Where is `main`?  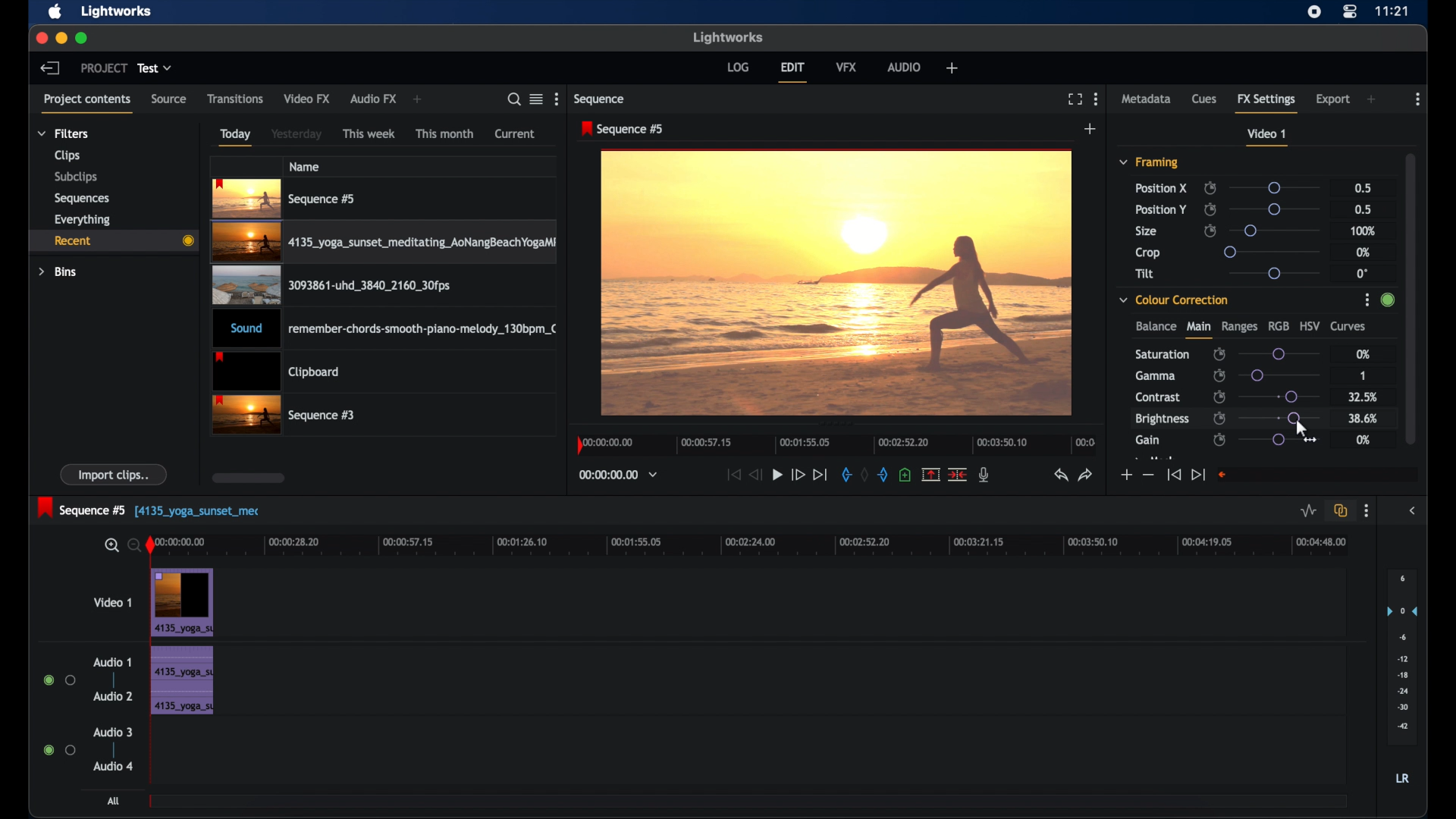 main is located at coordinates (1198, 330).